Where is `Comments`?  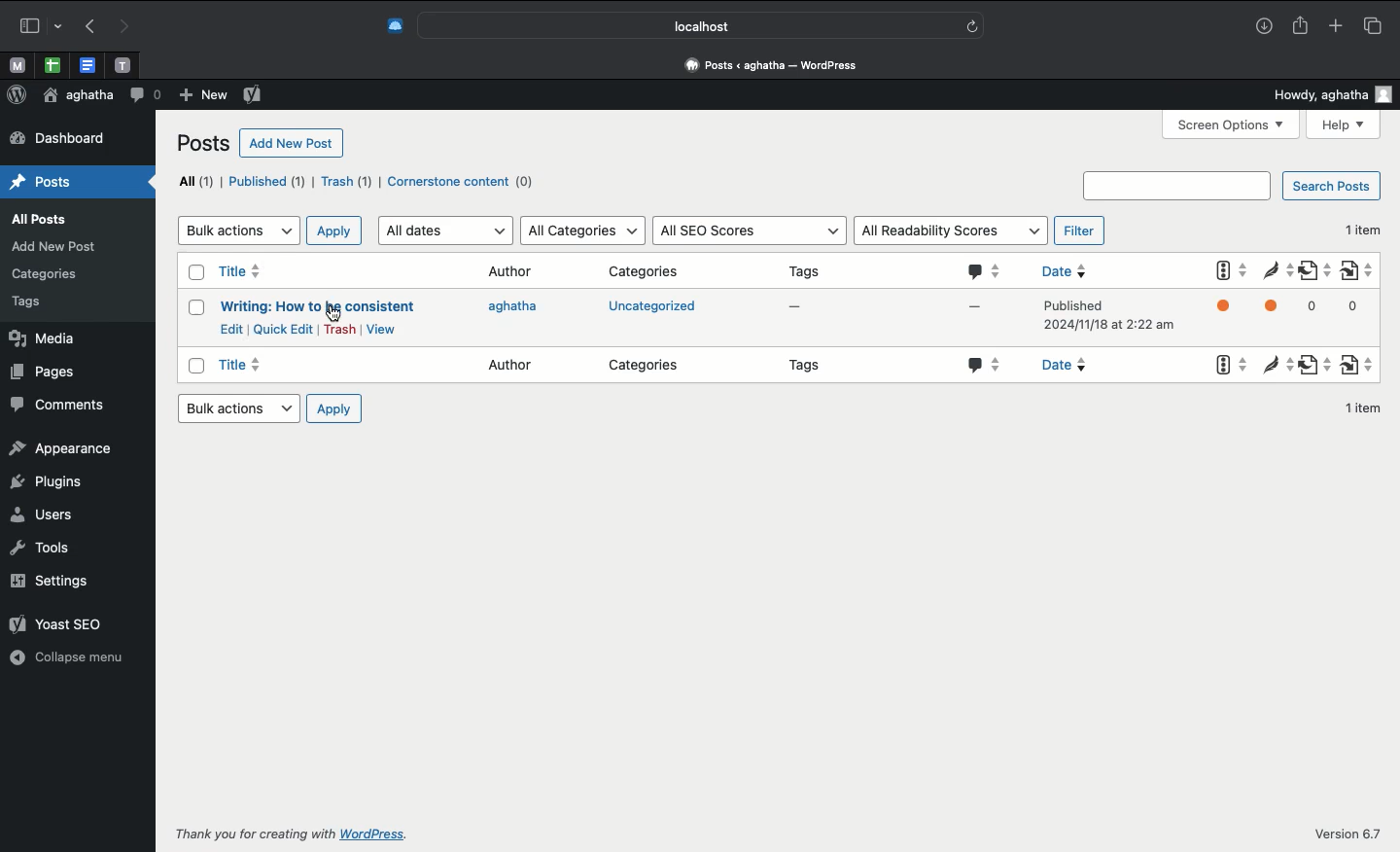
Comments is located at coordinates (982, 270).